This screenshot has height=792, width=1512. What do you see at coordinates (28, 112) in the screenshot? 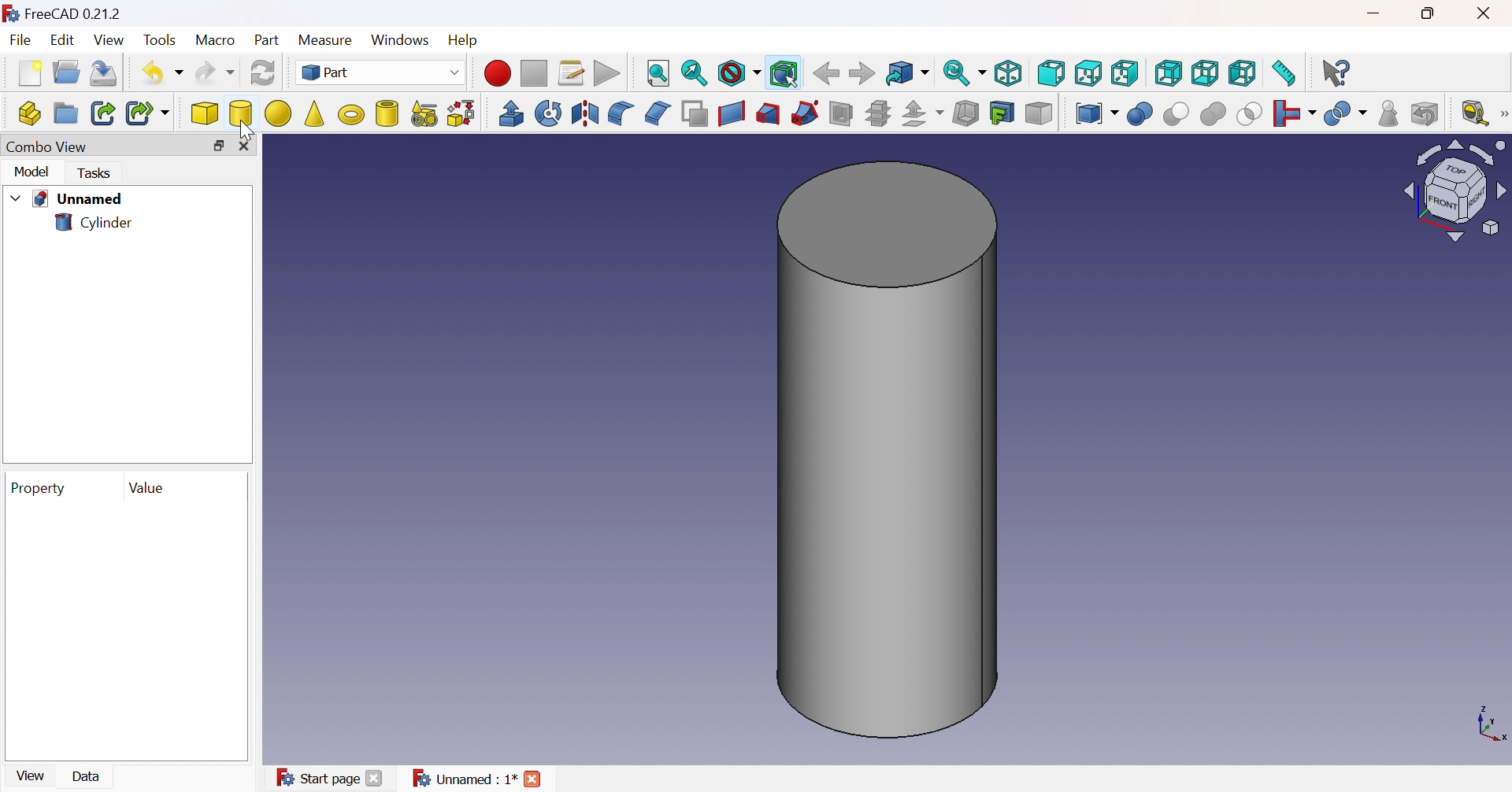
I see `Create part` at bounding box center [28, 112].